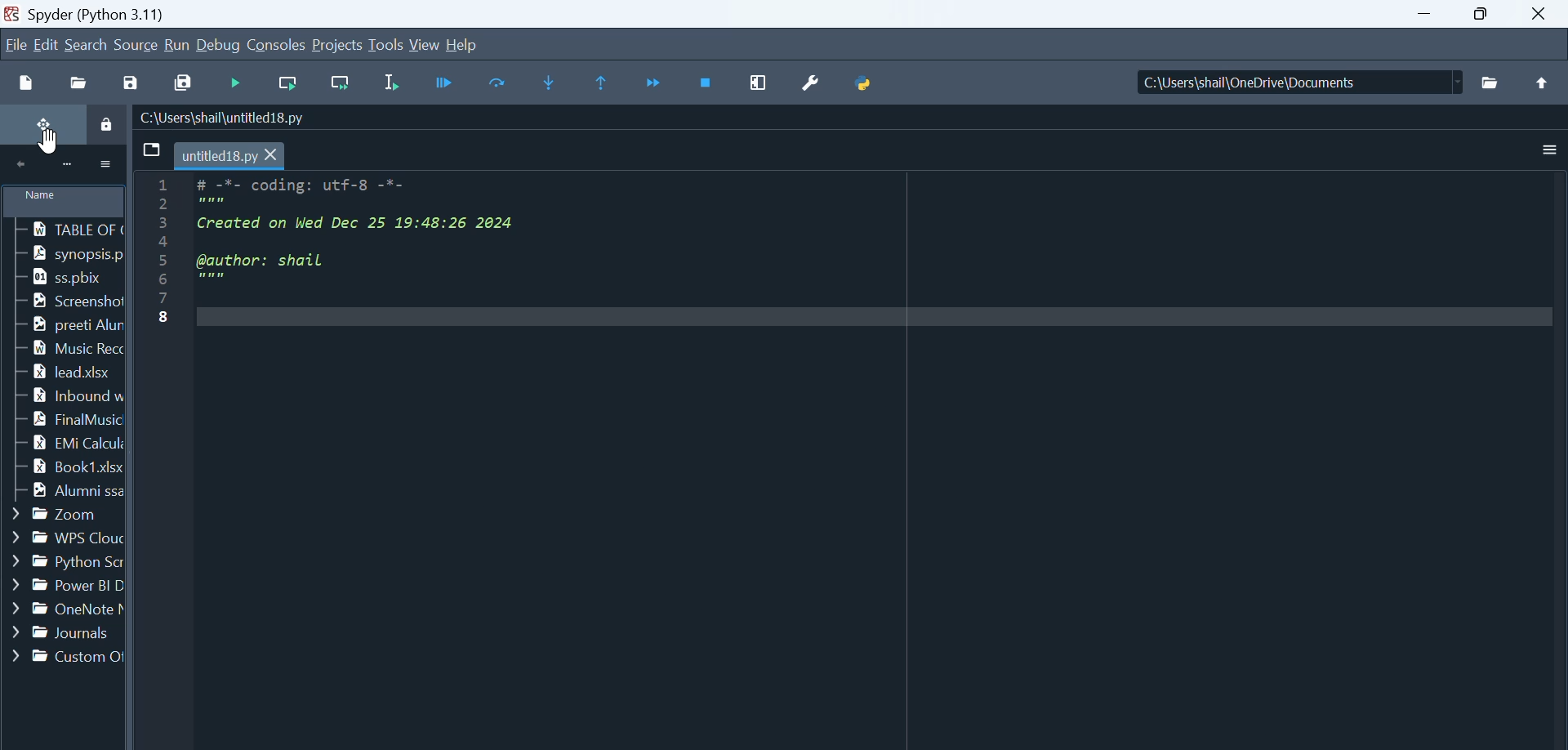 The image size is (1568, 750). I want to click on more options, so click(108, 163).